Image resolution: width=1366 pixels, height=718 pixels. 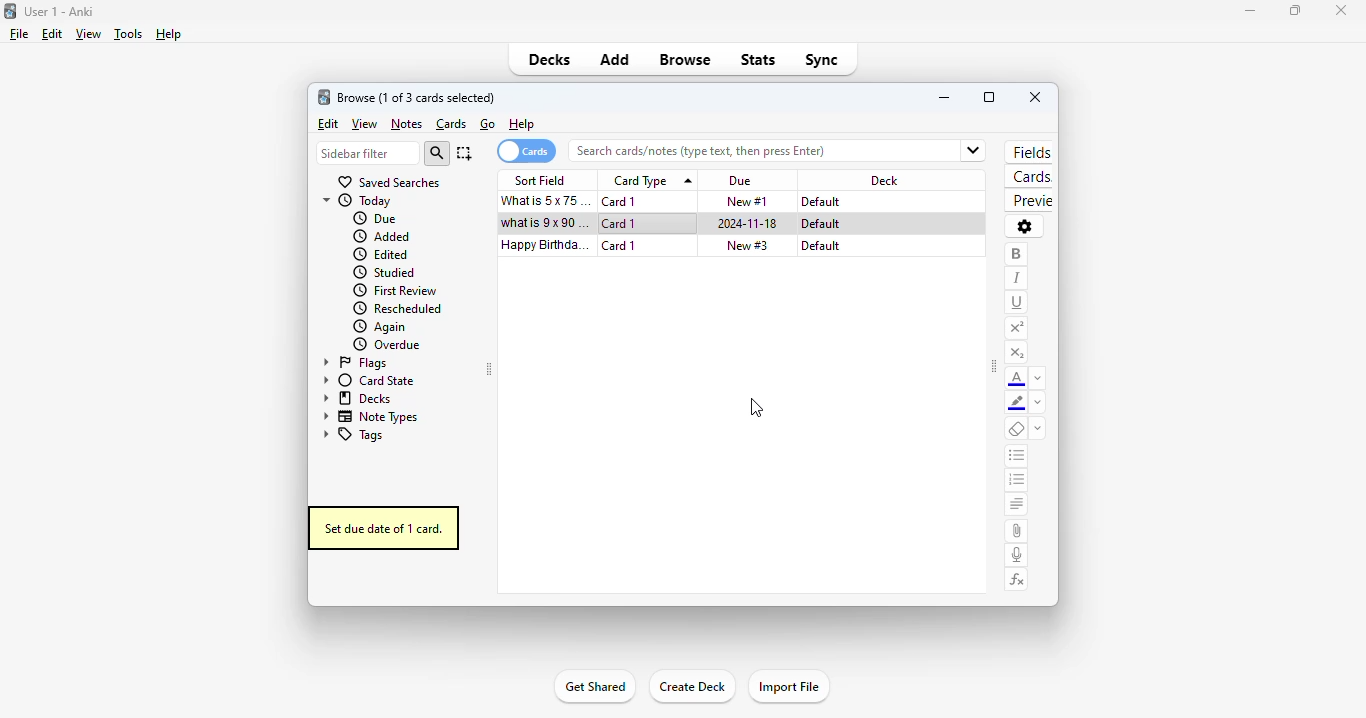 I want to click on tags, so click(x=352, y=435).